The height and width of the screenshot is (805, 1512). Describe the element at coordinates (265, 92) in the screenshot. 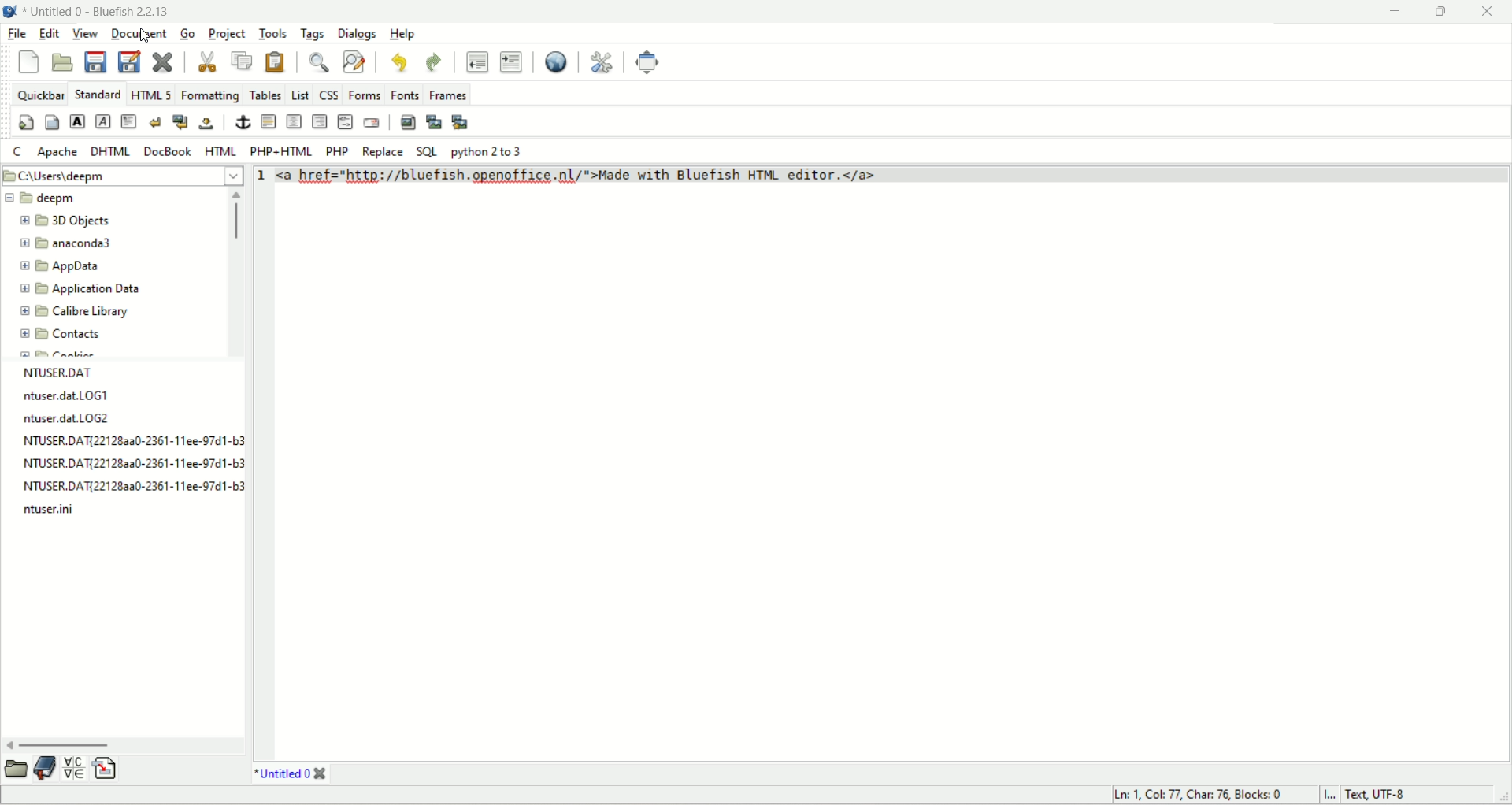

I see `tables` at that location.